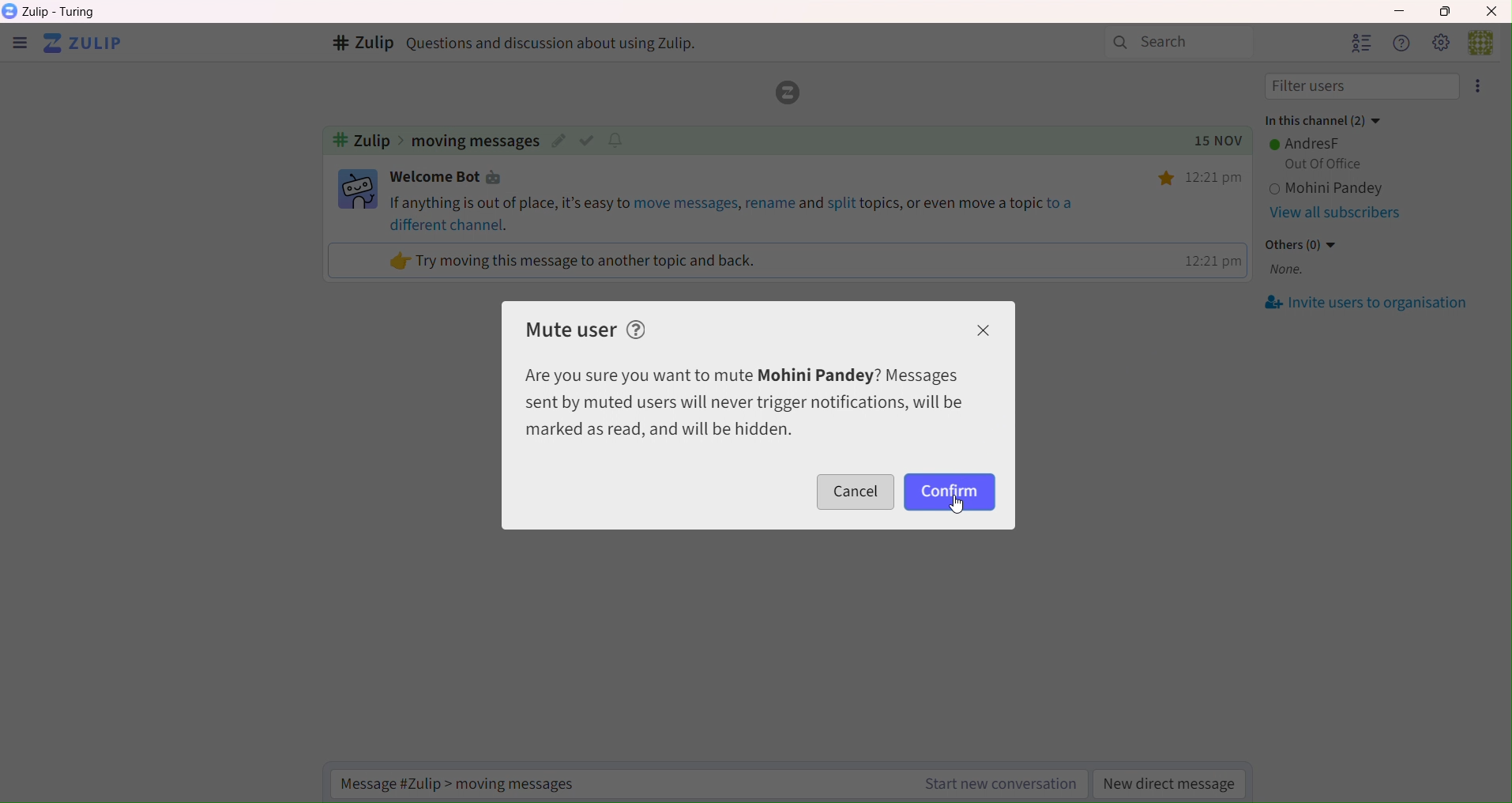  I want to click on Out Of Office, so click(1319, 164).